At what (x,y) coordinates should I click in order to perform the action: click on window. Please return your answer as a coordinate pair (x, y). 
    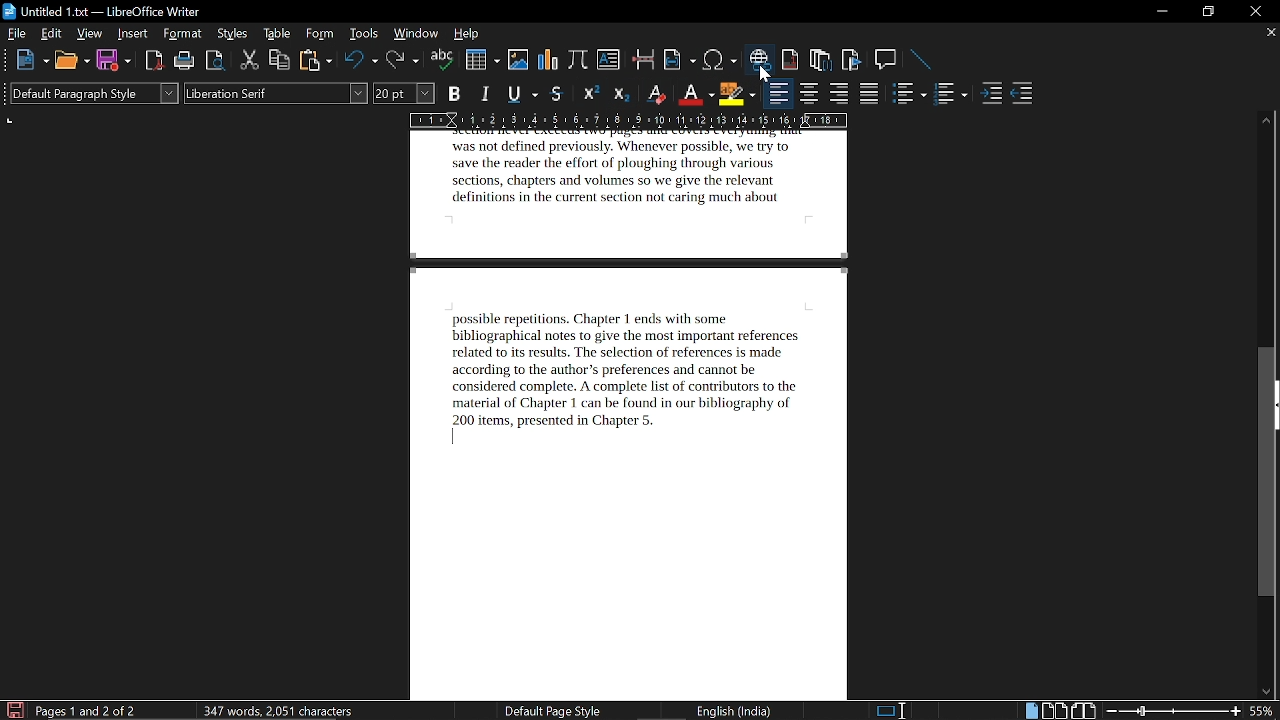
    Looking at the image, I should click on (416, 33).